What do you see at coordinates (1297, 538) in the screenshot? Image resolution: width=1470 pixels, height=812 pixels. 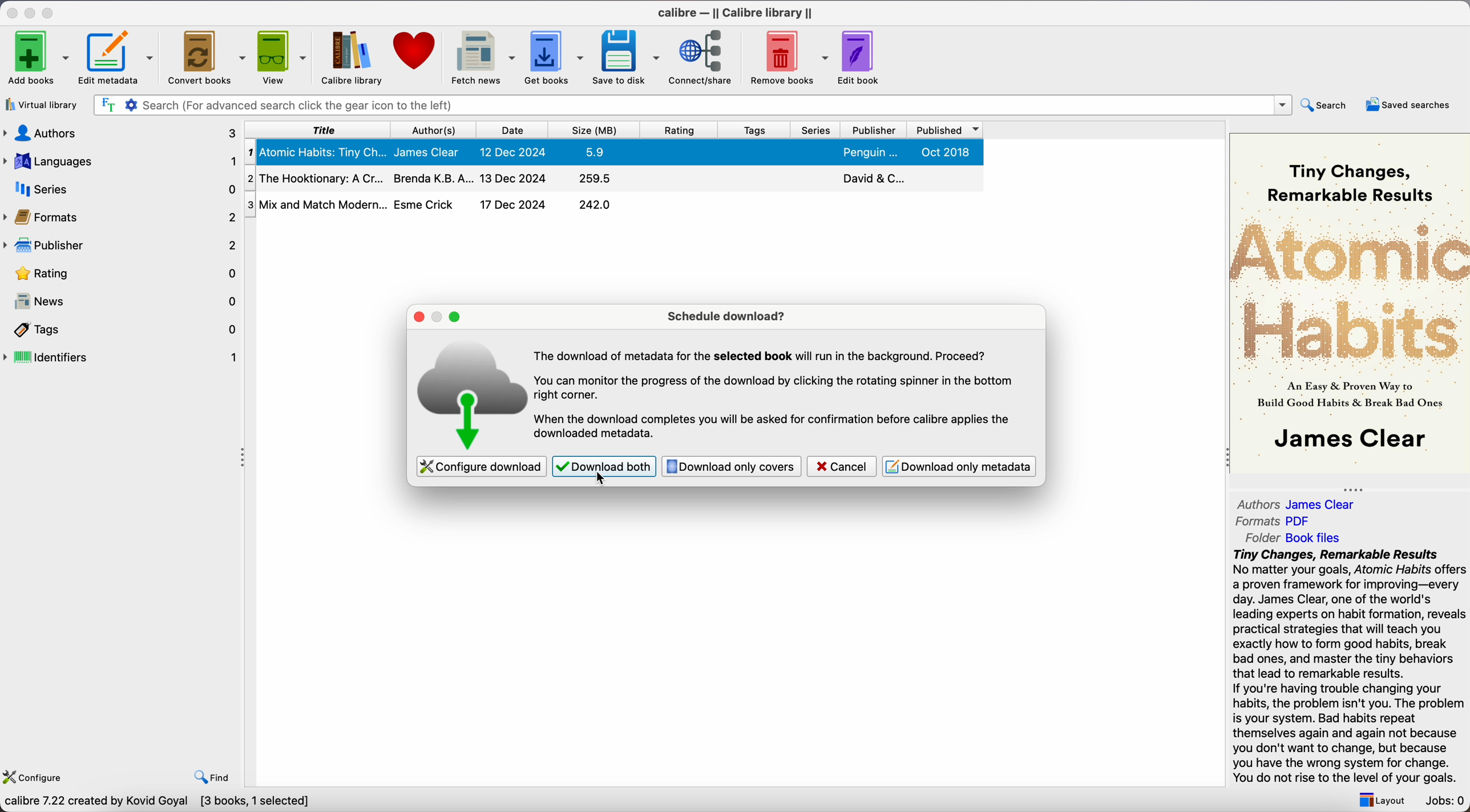 I see `Folder Book files` at bounding box center [1297, 538].